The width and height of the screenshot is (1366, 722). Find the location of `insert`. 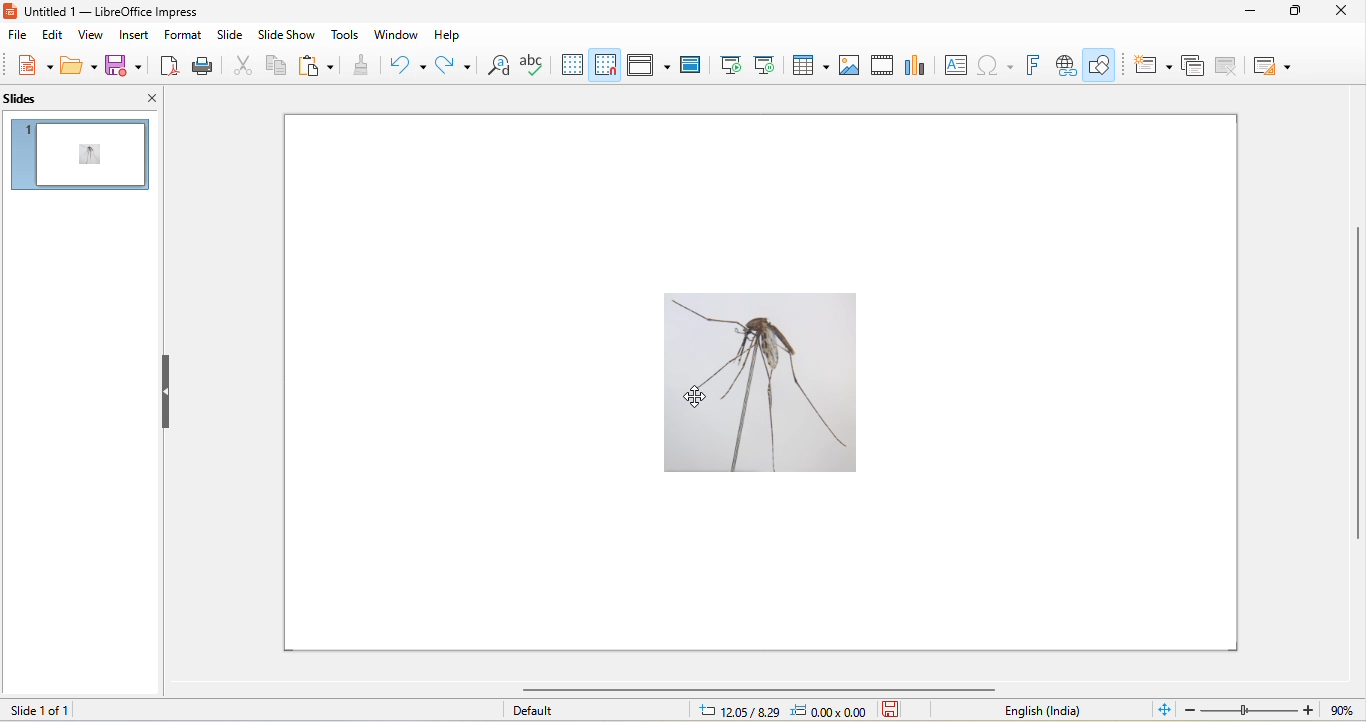

insert is located at coordinates (135, 35).